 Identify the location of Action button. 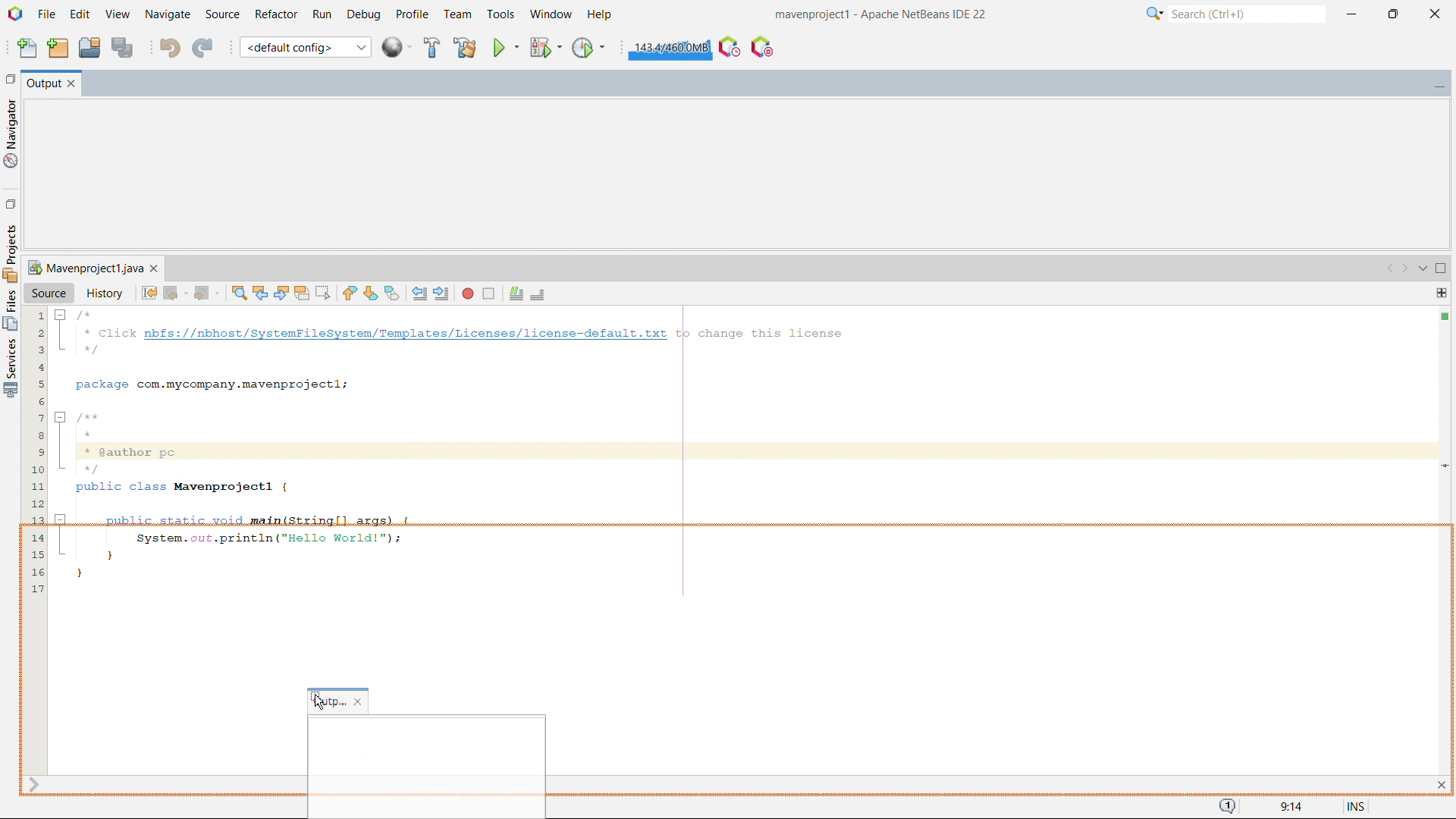
(1447, 315).